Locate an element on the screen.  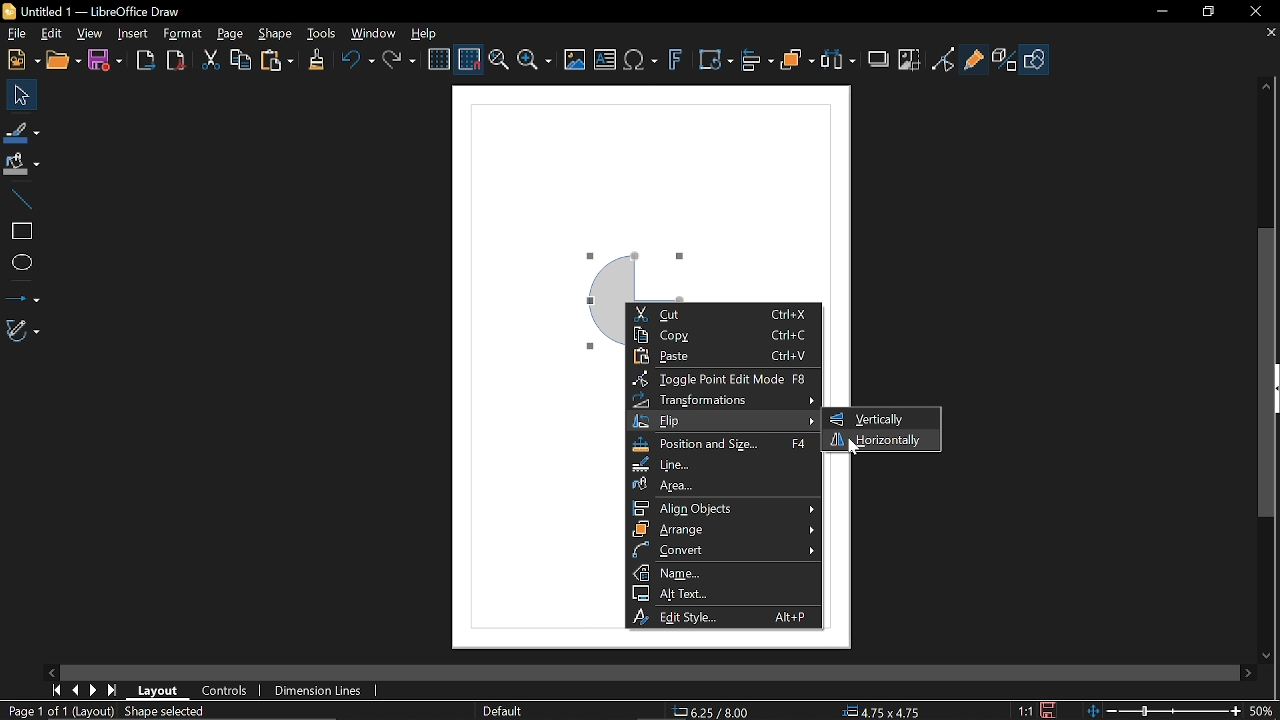
restore down is located at coordinates (1210, 10).